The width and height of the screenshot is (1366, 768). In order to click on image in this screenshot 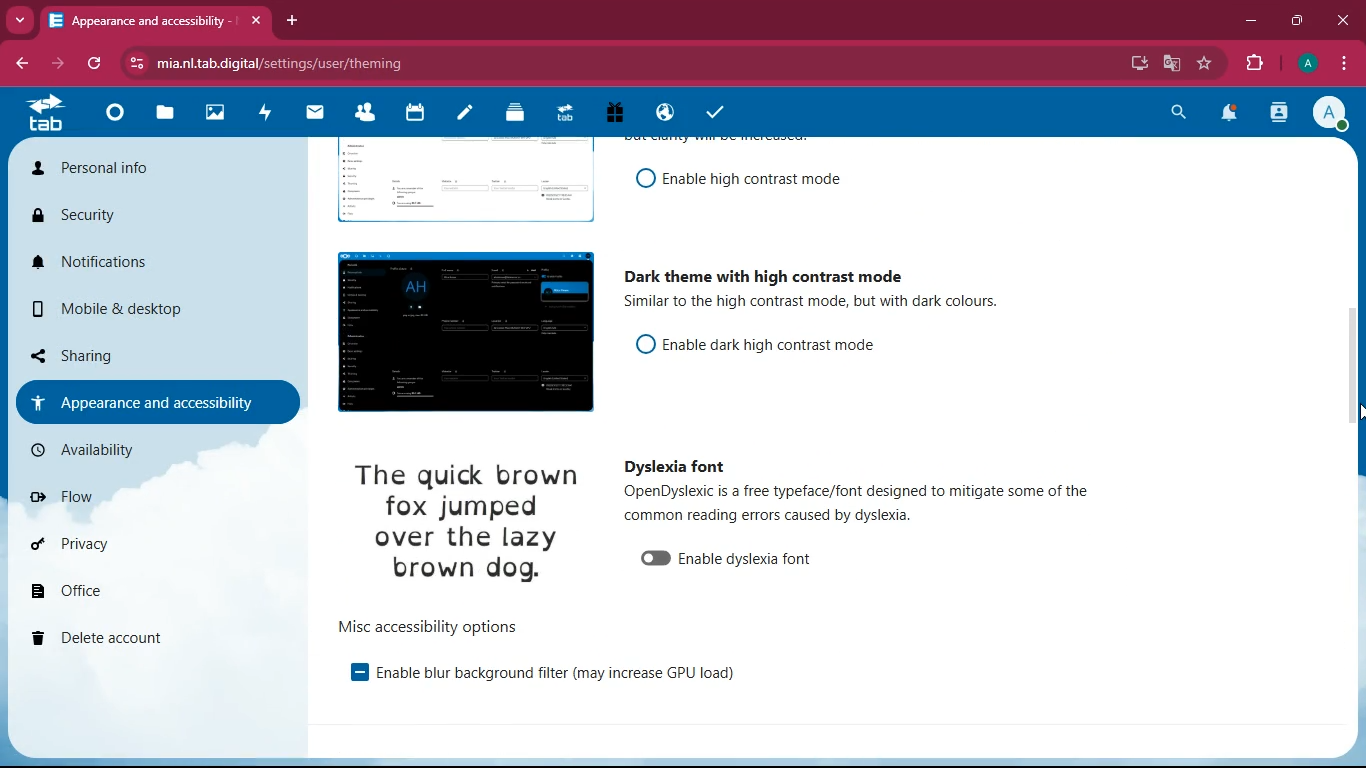, I will do `click(476, 524)`.